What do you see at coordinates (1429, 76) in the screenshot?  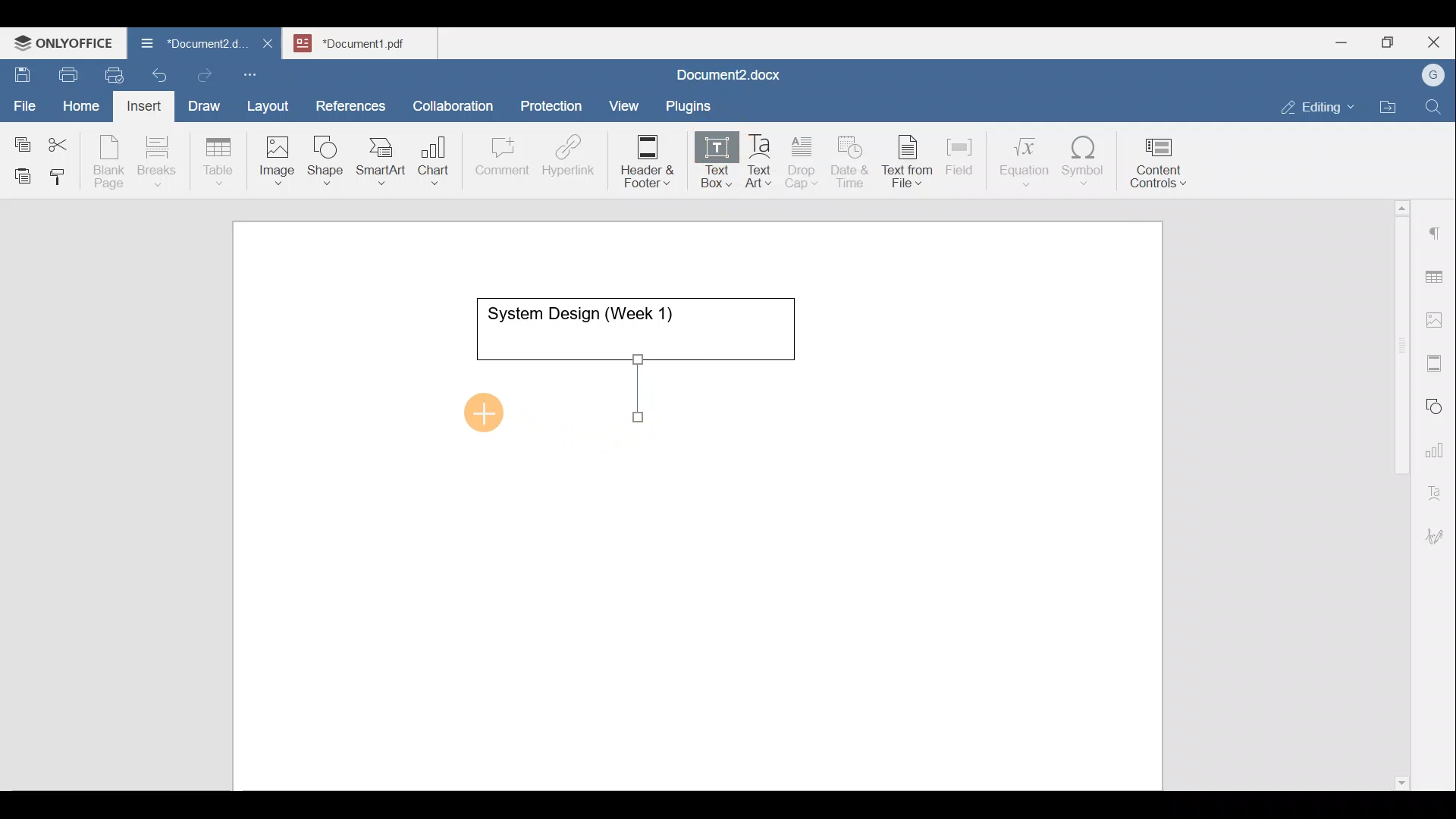 I see `Account name` at bounding box center [1429, 76].